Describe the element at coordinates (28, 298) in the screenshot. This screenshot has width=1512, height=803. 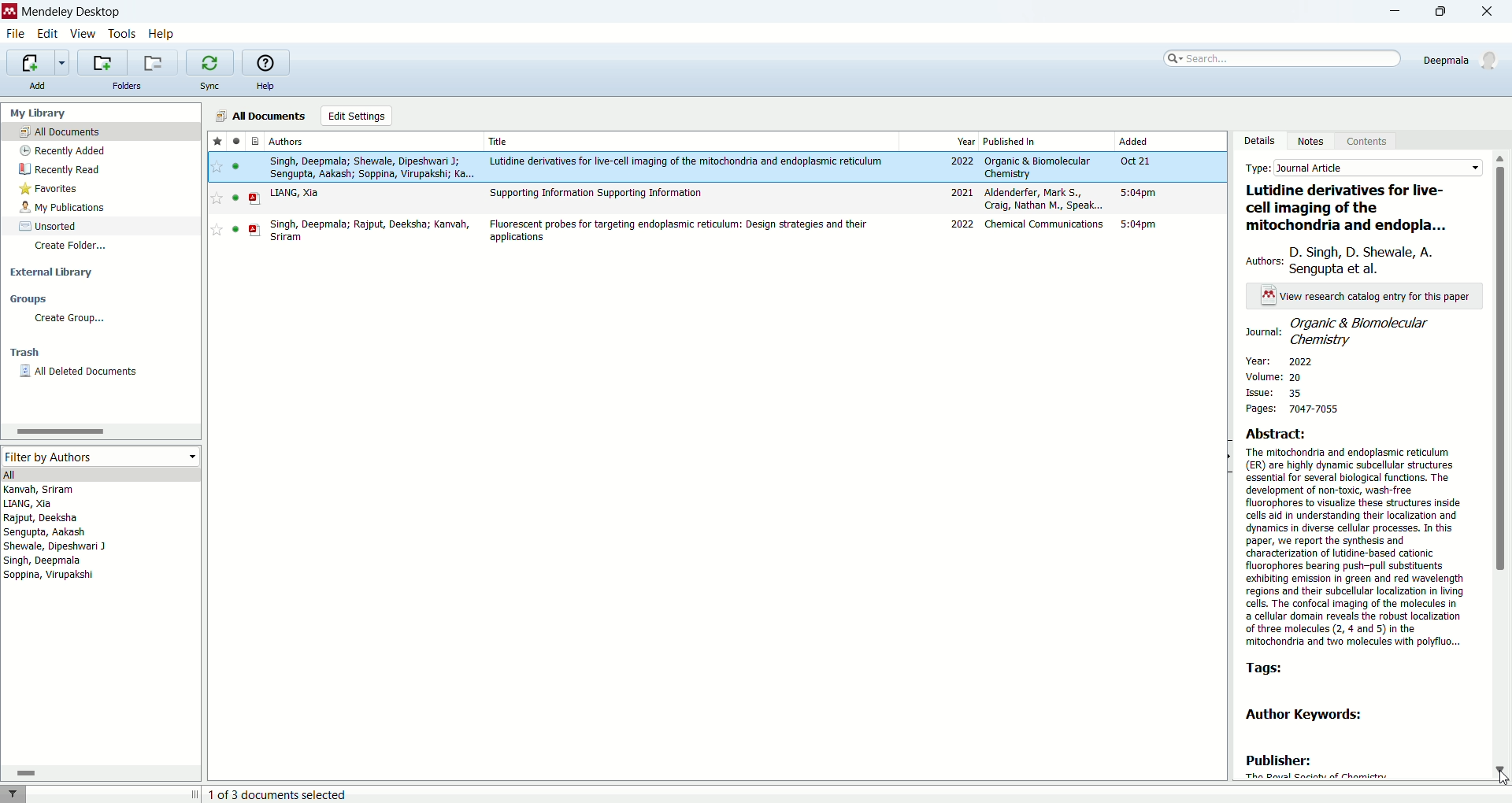
I see `groups` at that location.